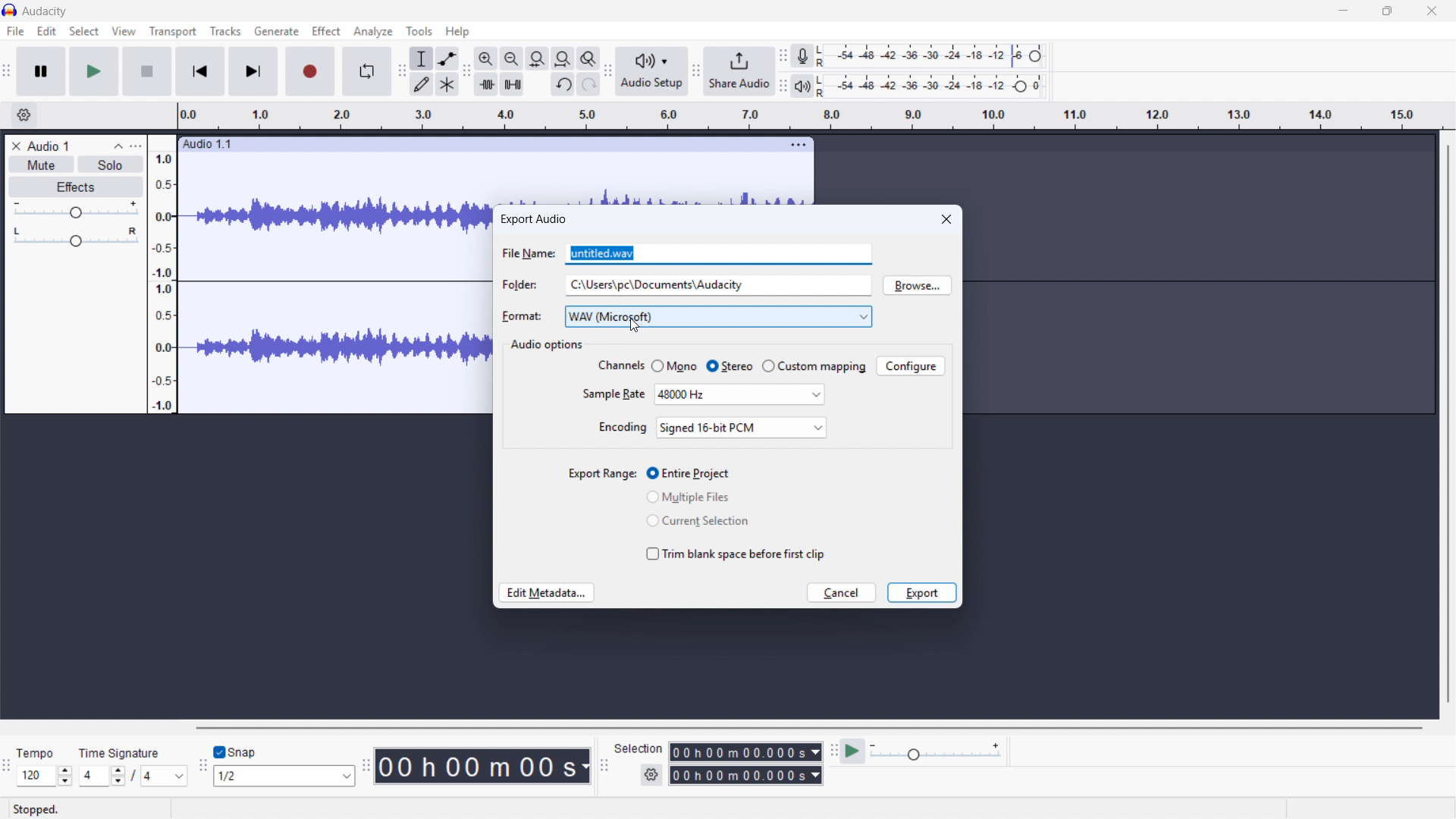 Image resolution: width=1456 pixels, height=819 pixels. I want to click on Current selection , so click(699, 520).